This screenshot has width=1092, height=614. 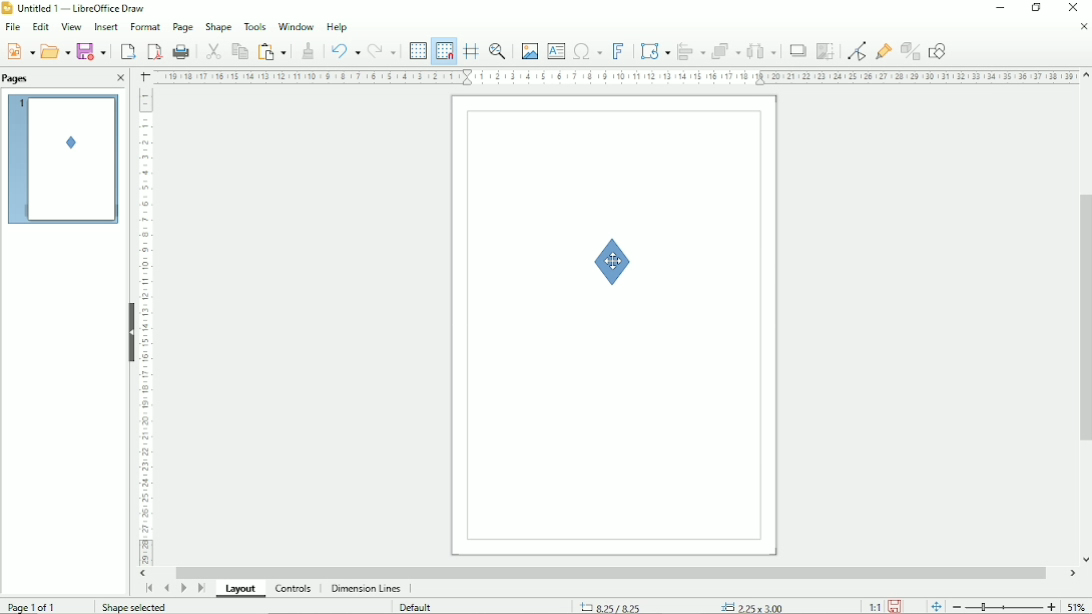 What do you see at coordinates (105, 27) in the screenshot?
I see `Insert` at bounding box center [105, 27].